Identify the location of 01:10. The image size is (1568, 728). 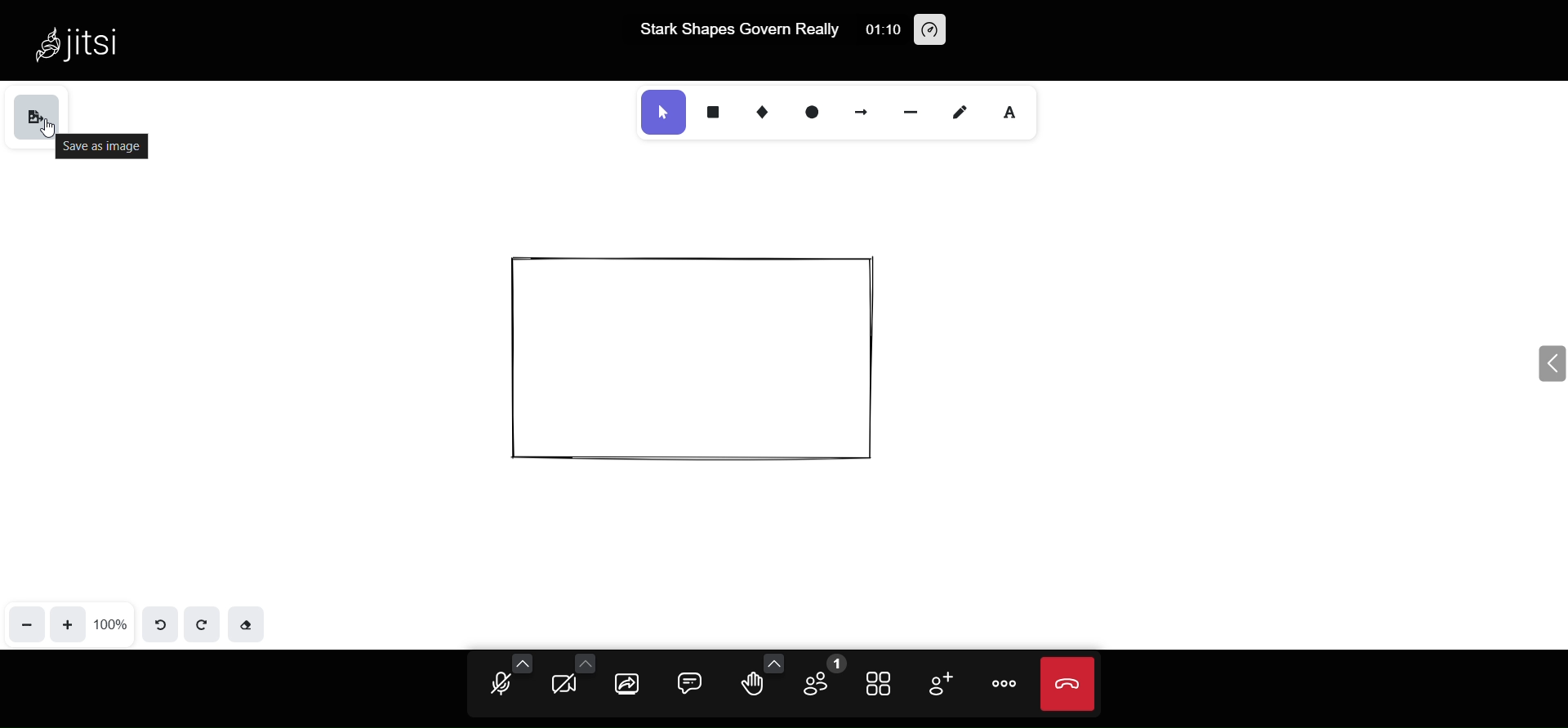
(880, 29).